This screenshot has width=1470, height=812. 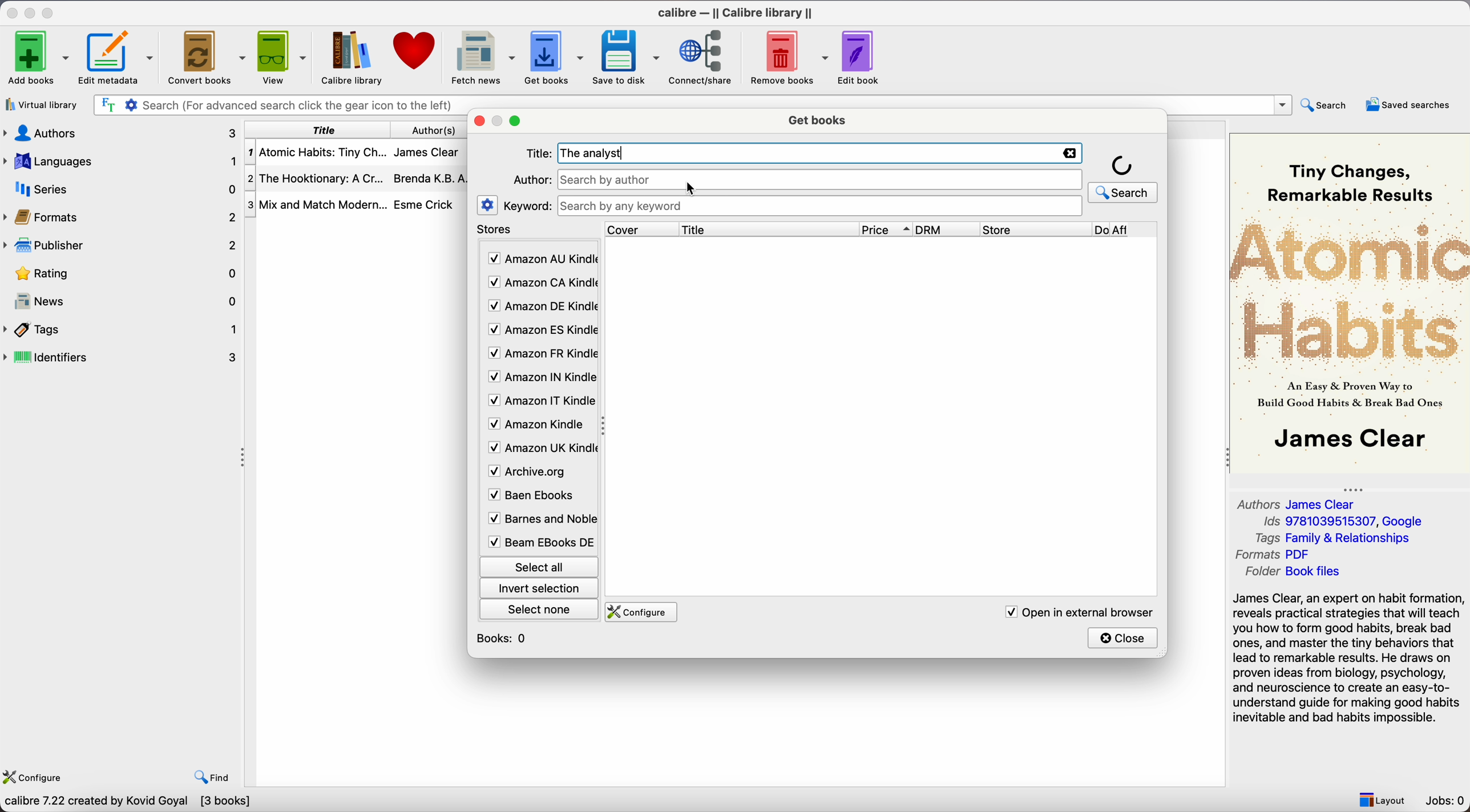 What do you see at coordinates (126, 356) in the screenshot?
I see `identifiers` at bounding box center [126, 356].